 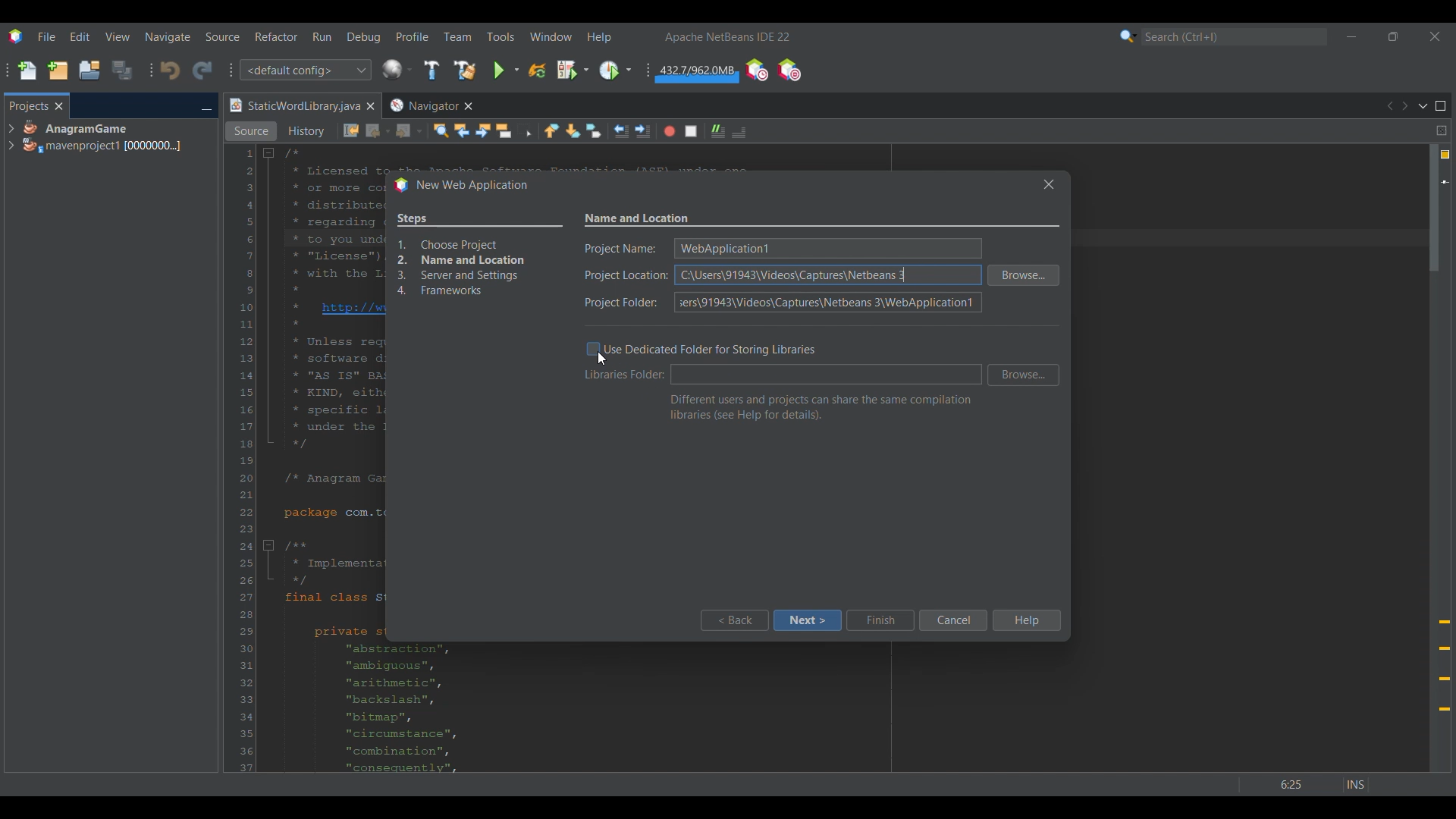 What do you see at coordinates (276, 36) in the screenshot?
I see `Refactor menu` at bounding box center [276, 36].